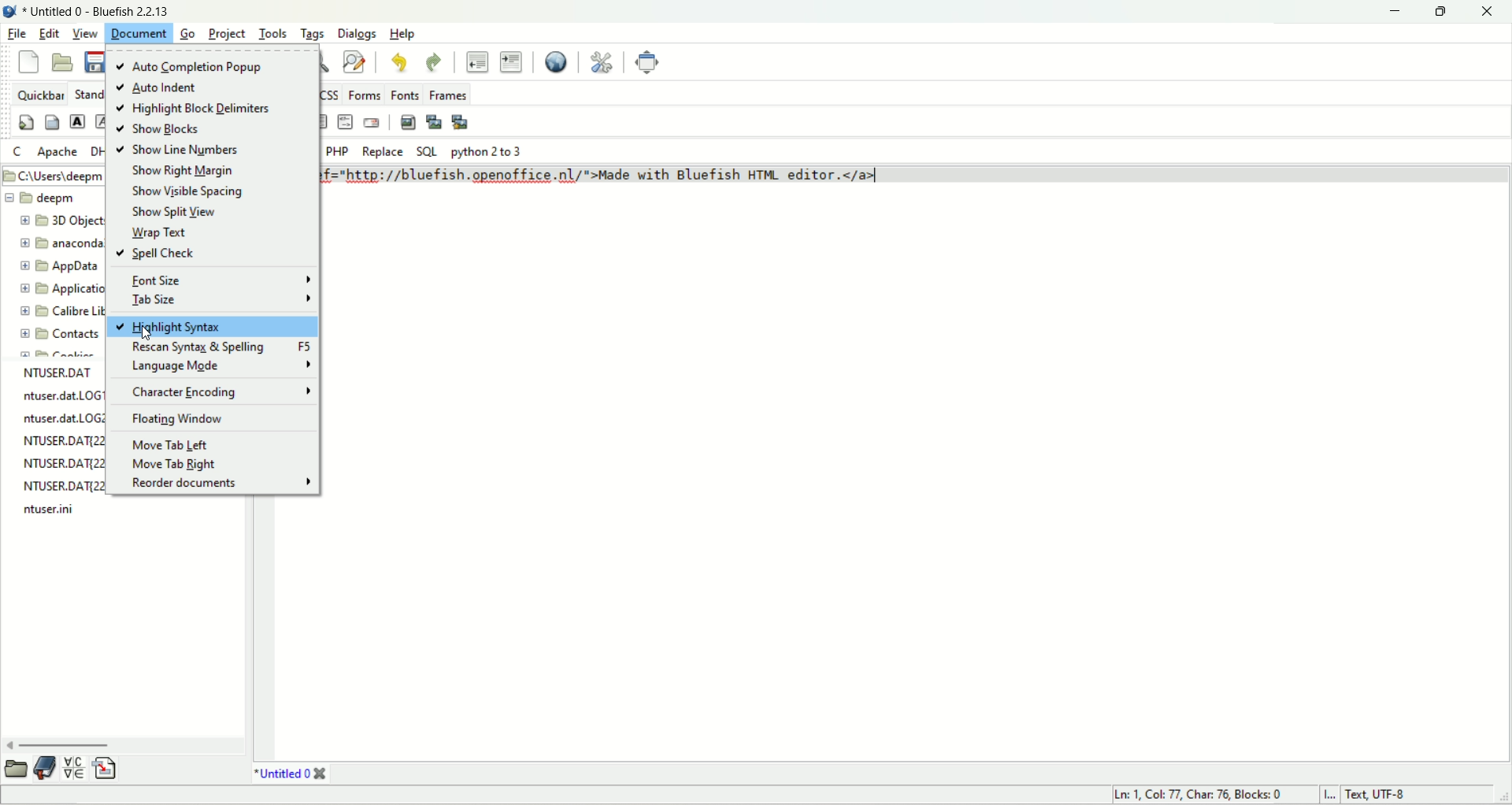  What do you see at coordinates (86, 35) in the screenshot?
I see `view` at bounding box center [86, 35].